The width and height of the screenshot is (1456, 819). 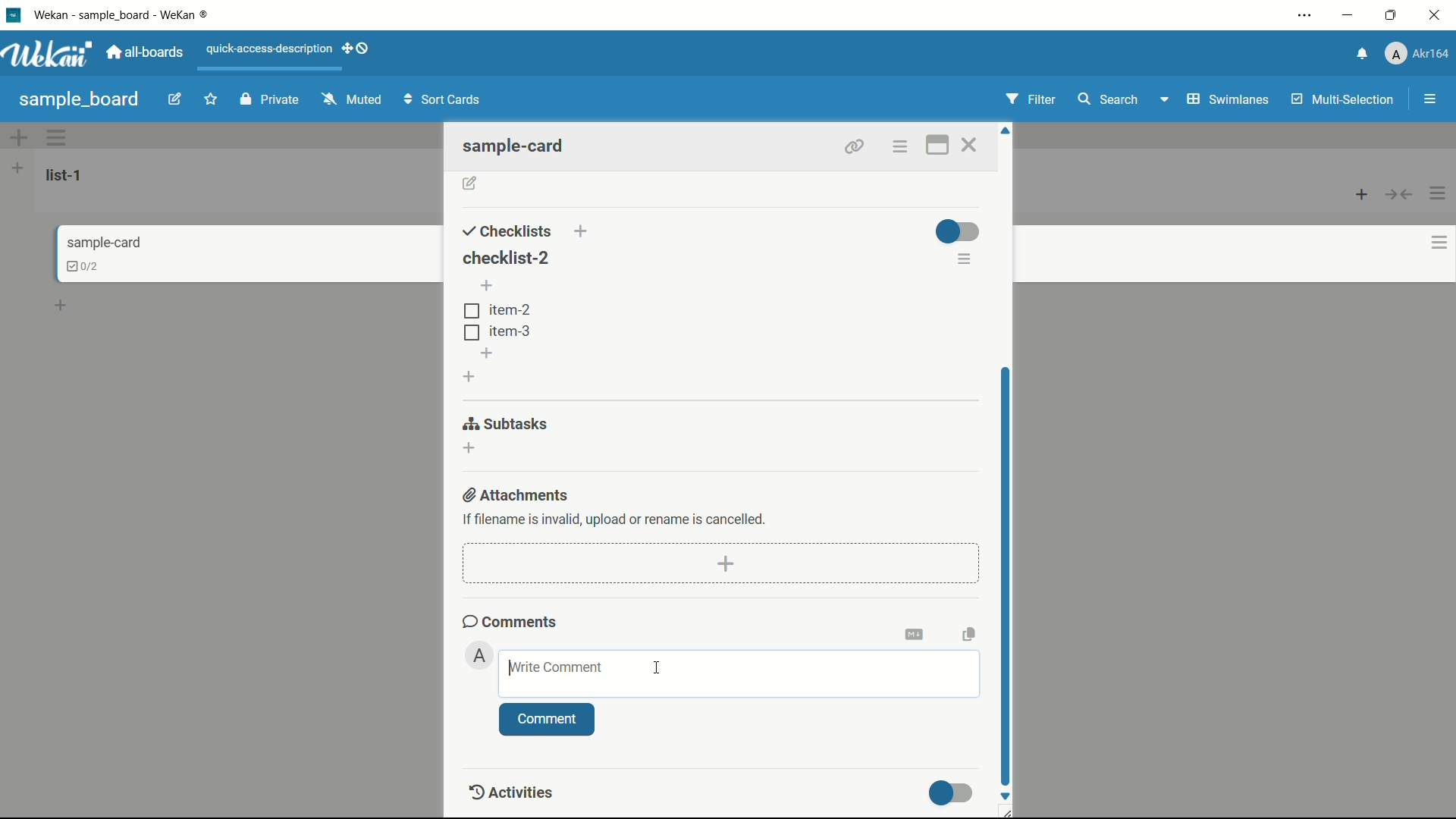 I want to click on toggle button, so click(x=952, y=792).